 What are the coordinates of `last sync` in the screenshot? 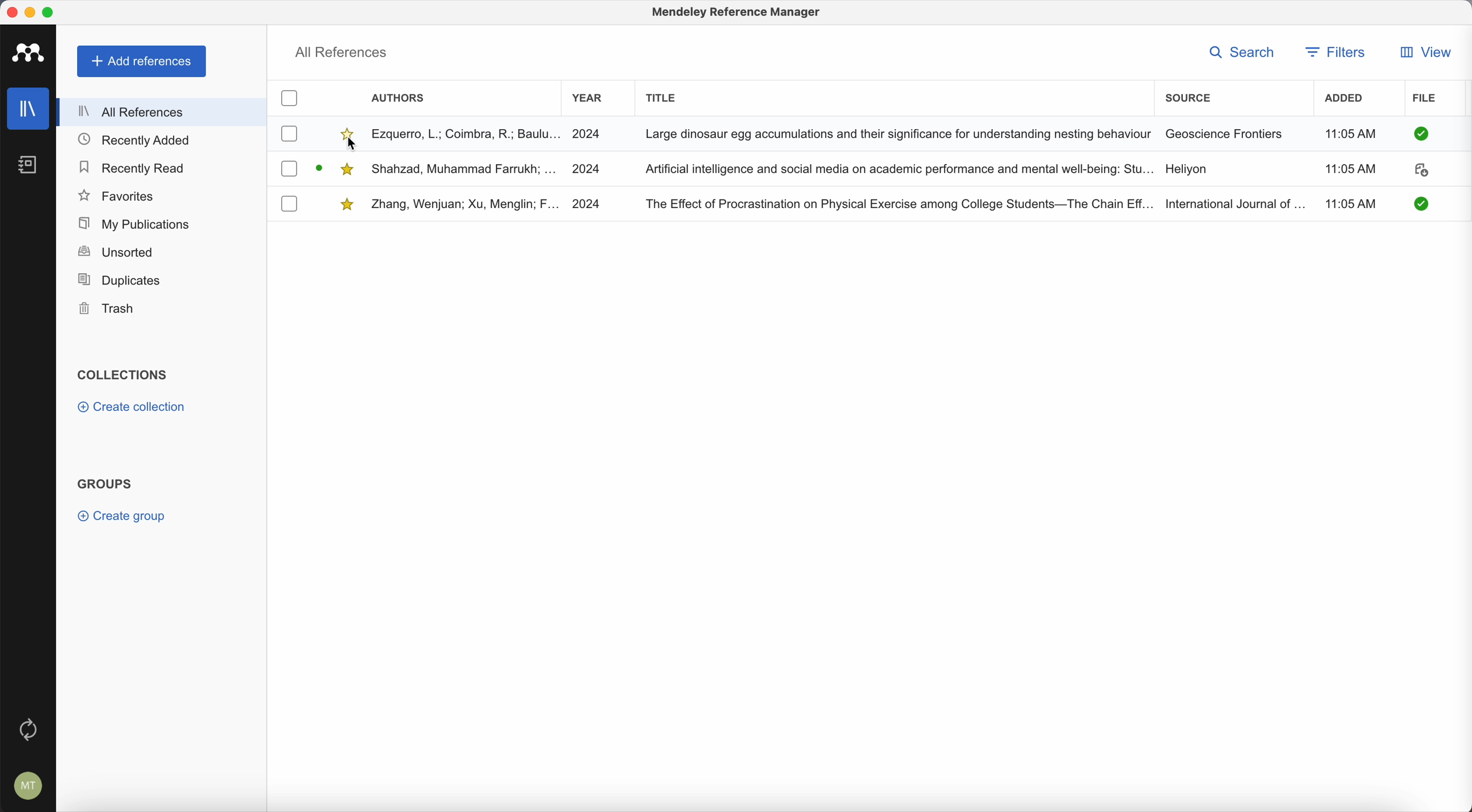 It's located at (29, 727).